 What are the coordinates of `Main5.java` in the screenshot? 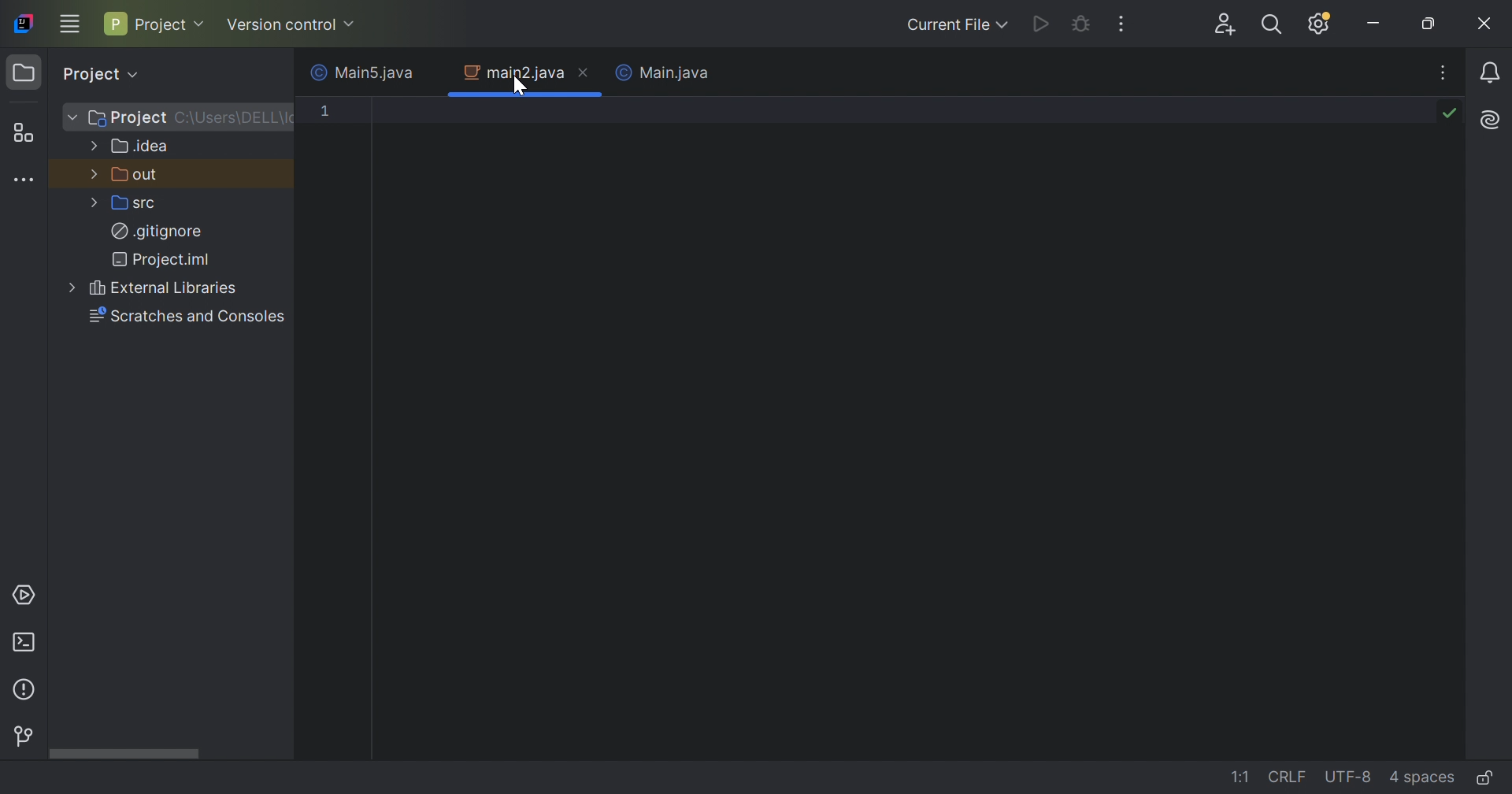 It's located at (357, 72).